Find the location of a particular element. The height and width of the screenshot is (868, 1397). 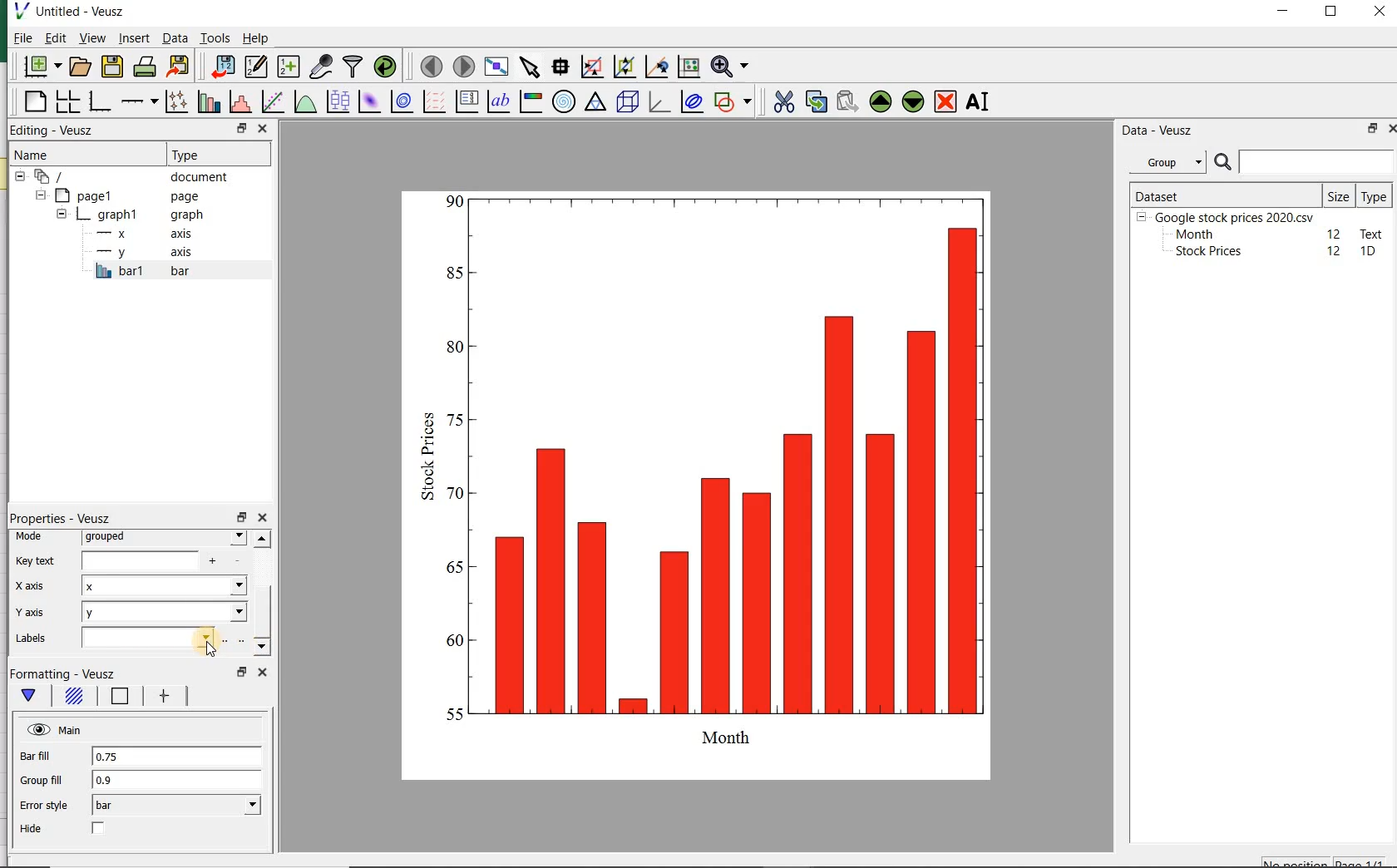

import data into Veusz is located at coordinates (220, 67).